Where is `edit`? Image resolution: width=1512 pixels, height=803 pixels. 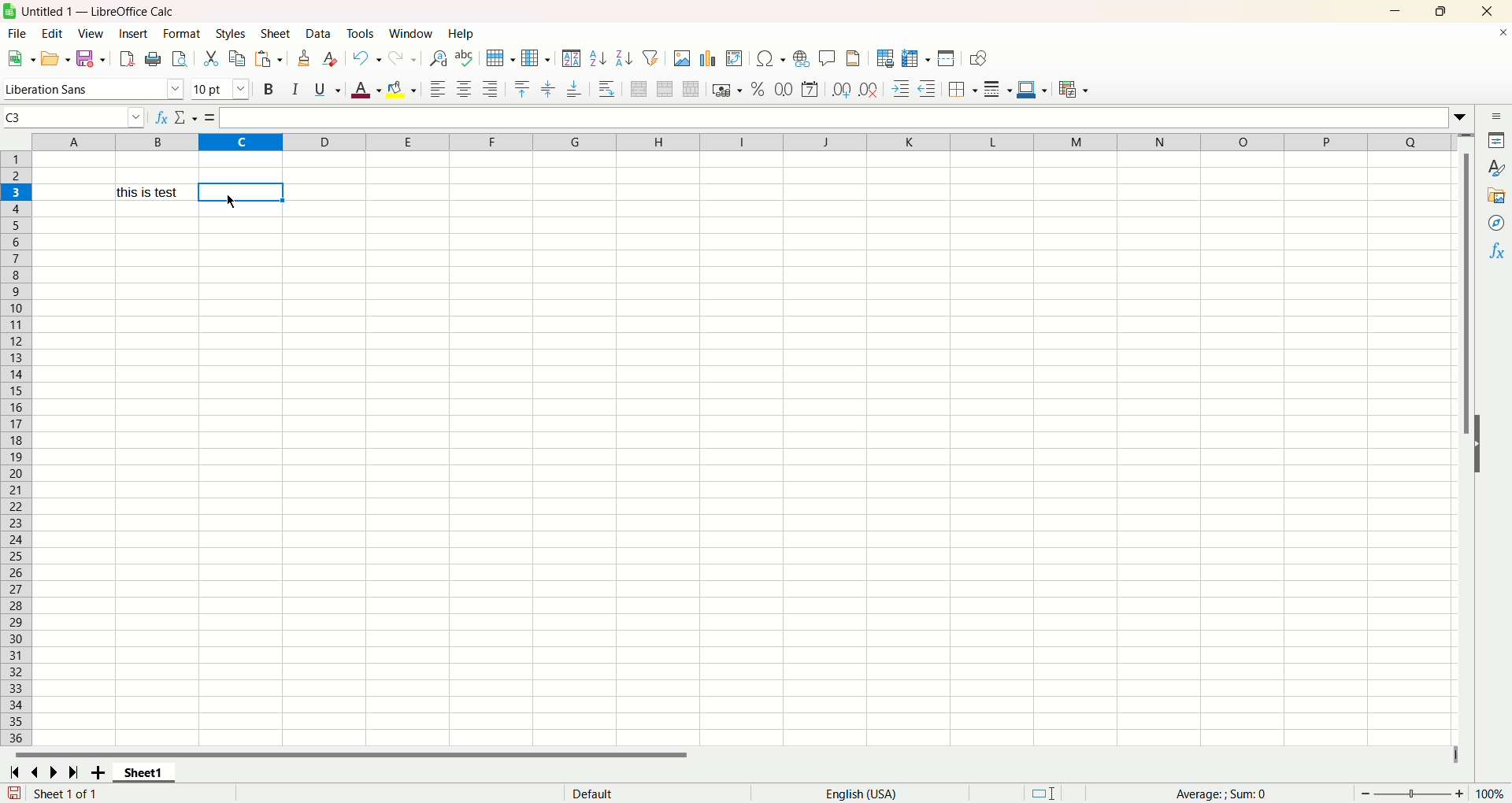 edit is located at coordinates (56, 34).